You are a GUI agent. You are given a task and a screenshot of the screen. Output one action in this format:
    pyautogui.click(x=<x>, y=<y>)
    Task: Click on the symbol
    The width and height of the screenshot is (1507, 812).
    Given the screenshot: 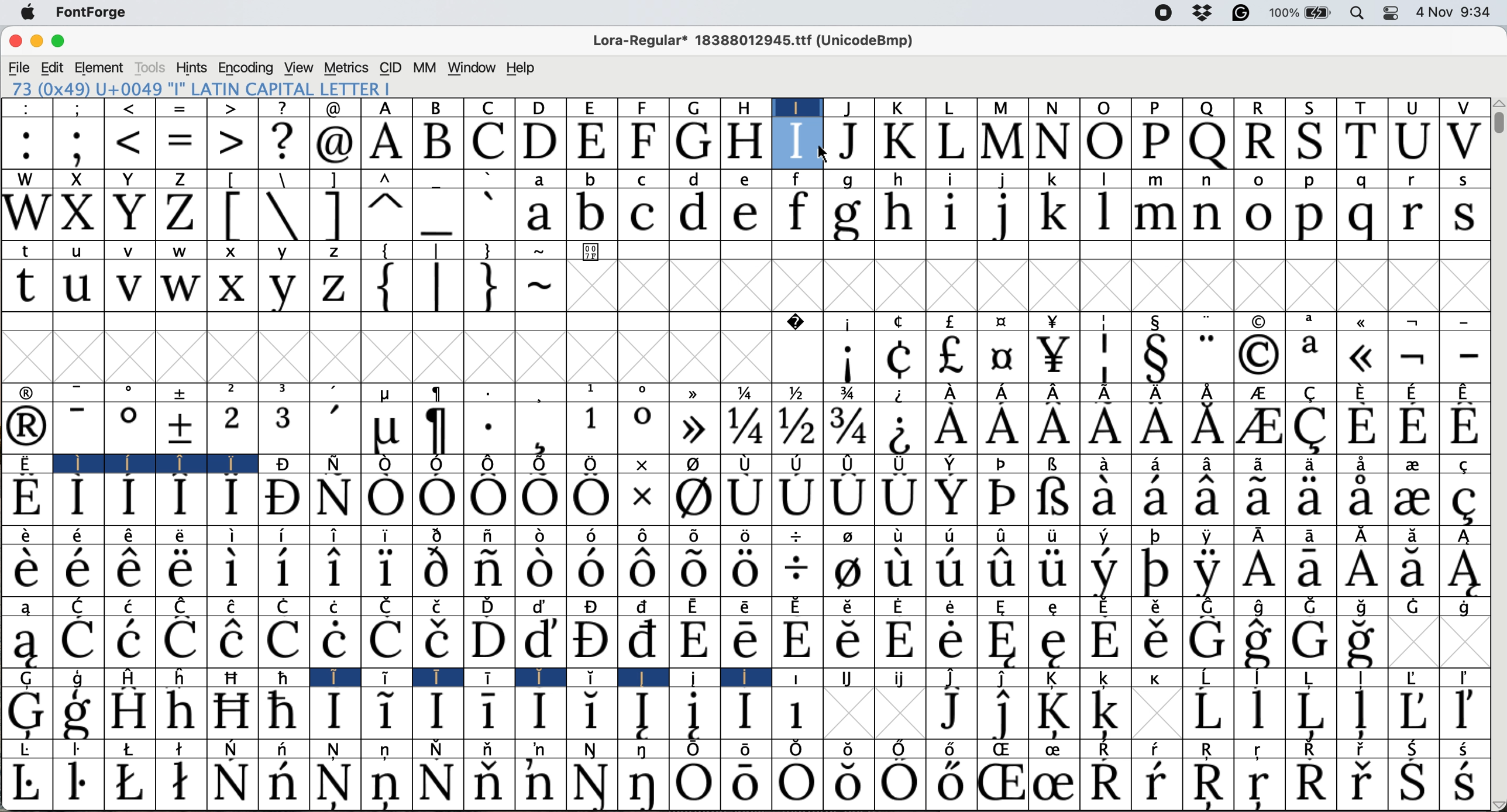 What is the action you would take?
    pyautogui.click(x=949, y=320)
    